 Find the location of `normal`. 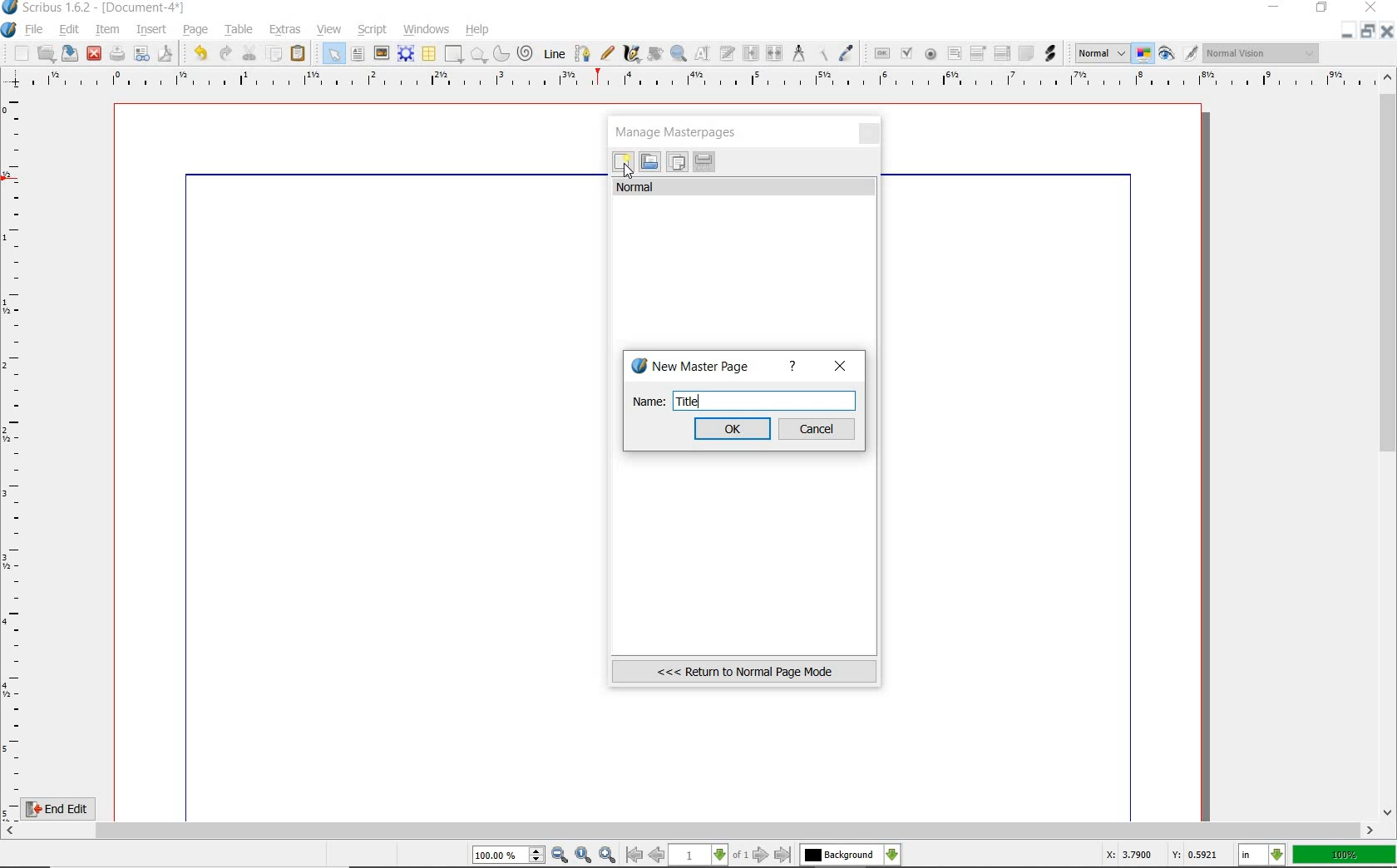

normal is located at coordinates (745, 187).